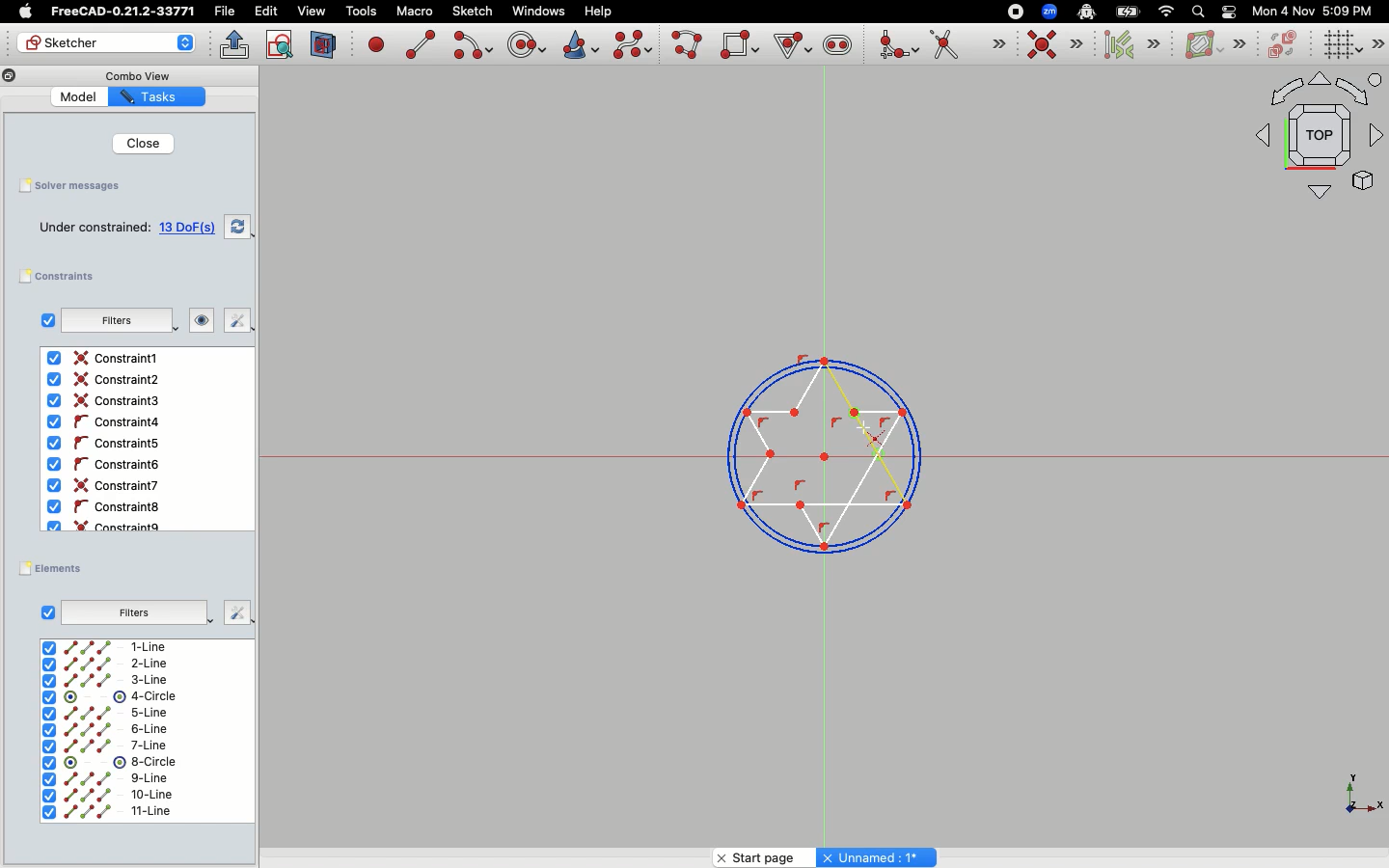 This screenshot has height=868, width=1389. I want to click on 11-line, so click(106, 813).